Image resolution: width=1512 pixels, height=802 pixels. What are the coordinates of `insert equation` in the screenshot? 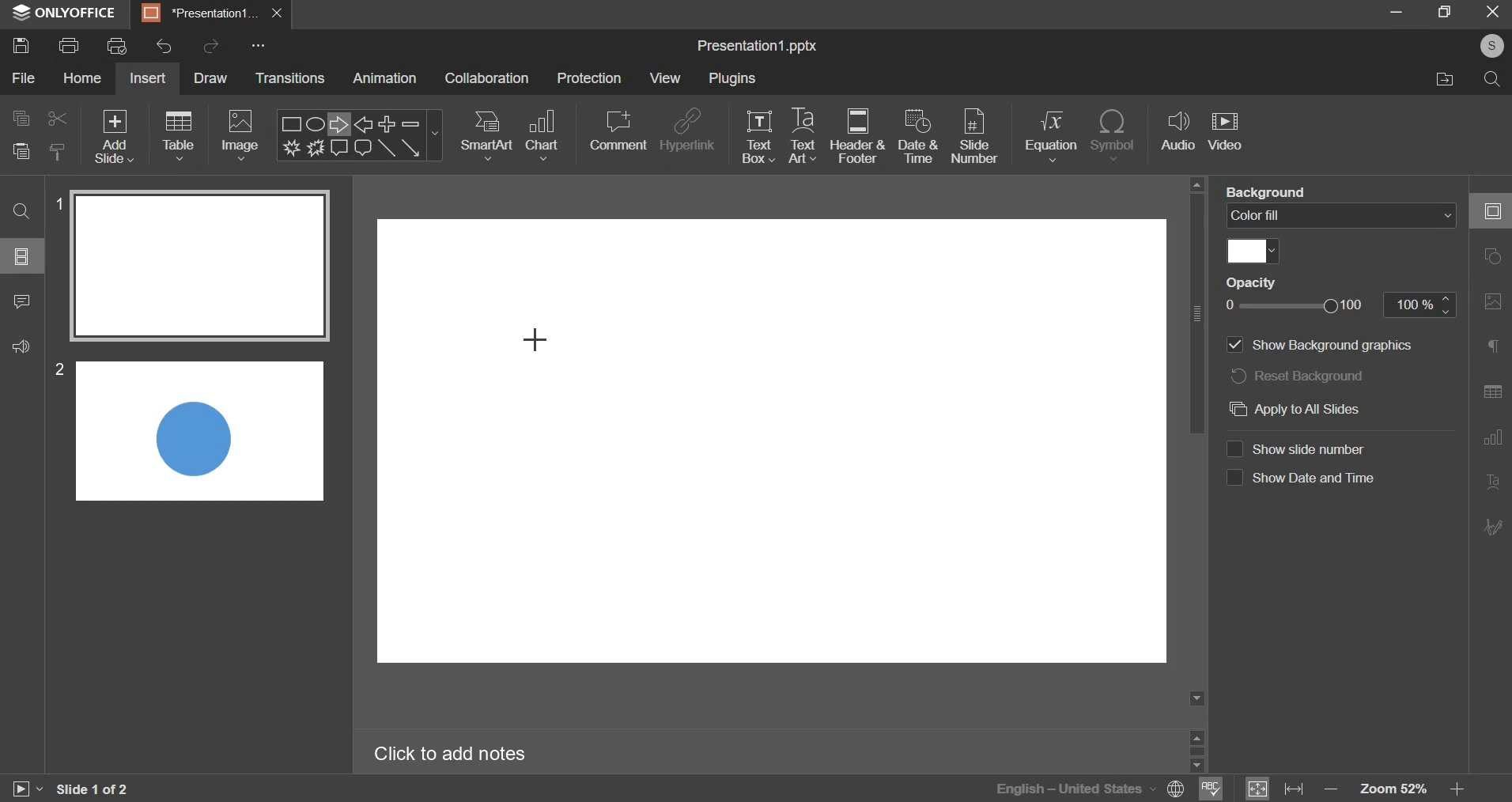 It's located at (1052, 136).